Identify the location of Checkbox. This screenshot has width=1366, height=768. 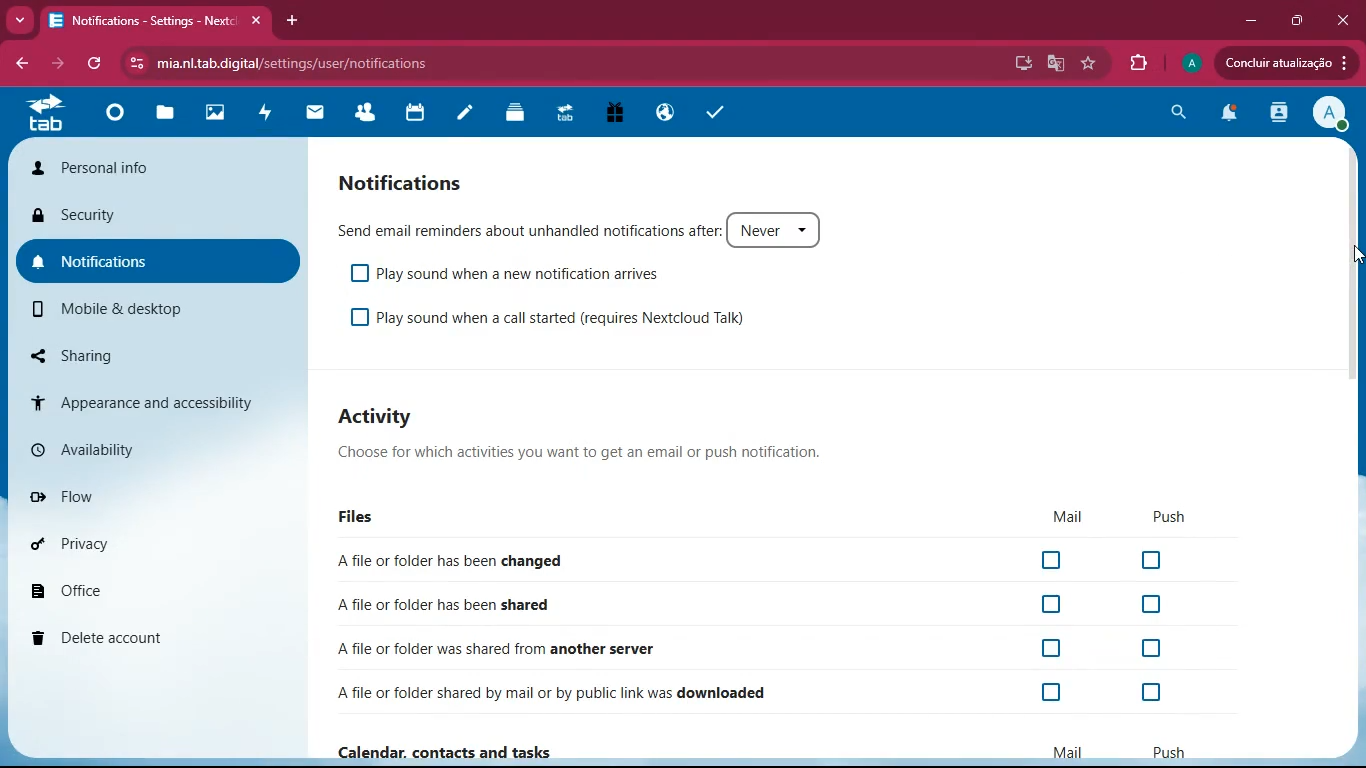
(1160, 559).